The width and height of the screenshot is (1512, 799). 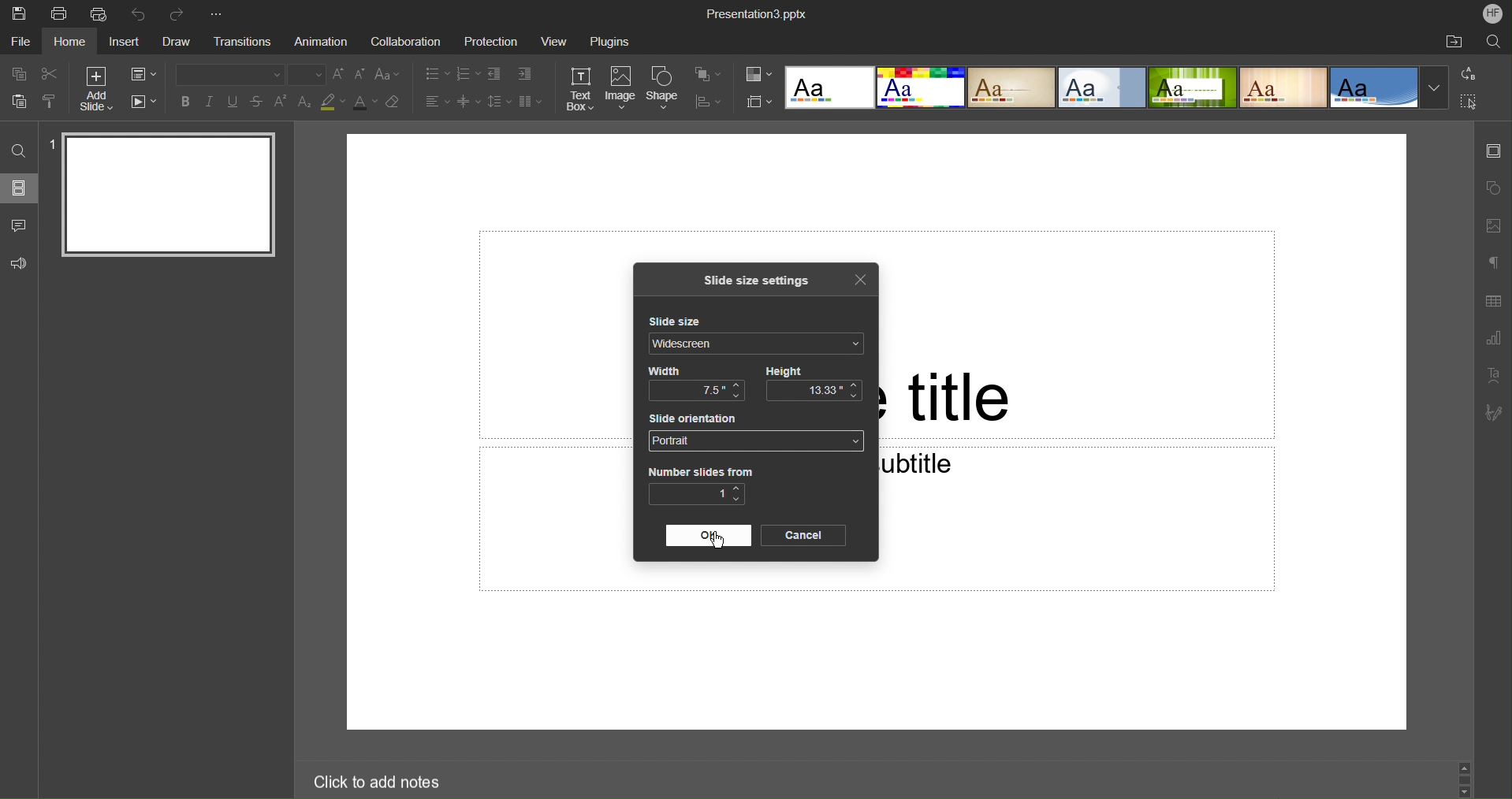 What do you see at coordinates (333, 103) in the screenshot?
I see `Highlight` at bounding box center [333, 103].